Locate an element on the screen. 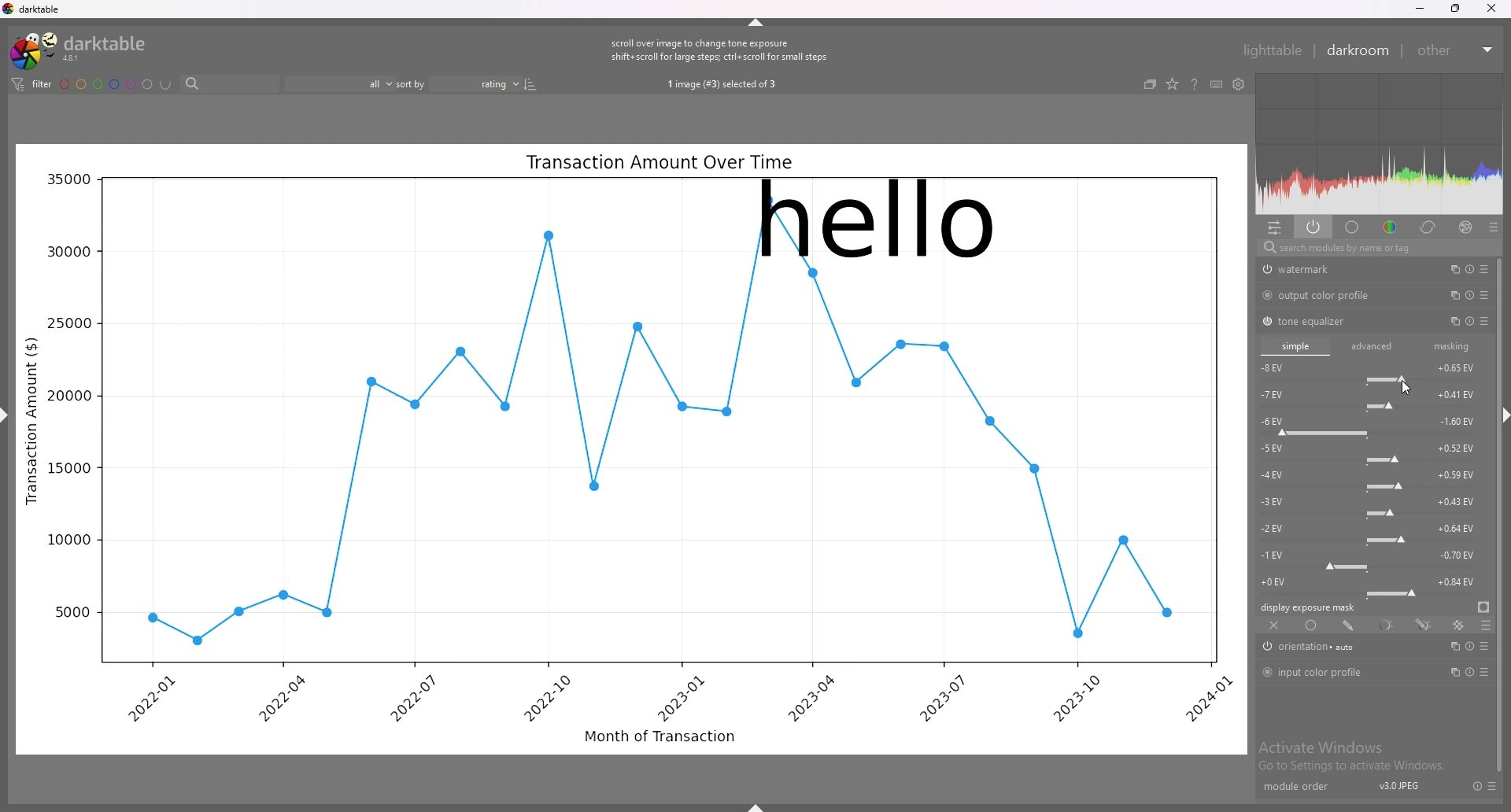  simple is located at coordinates (1295, 345).